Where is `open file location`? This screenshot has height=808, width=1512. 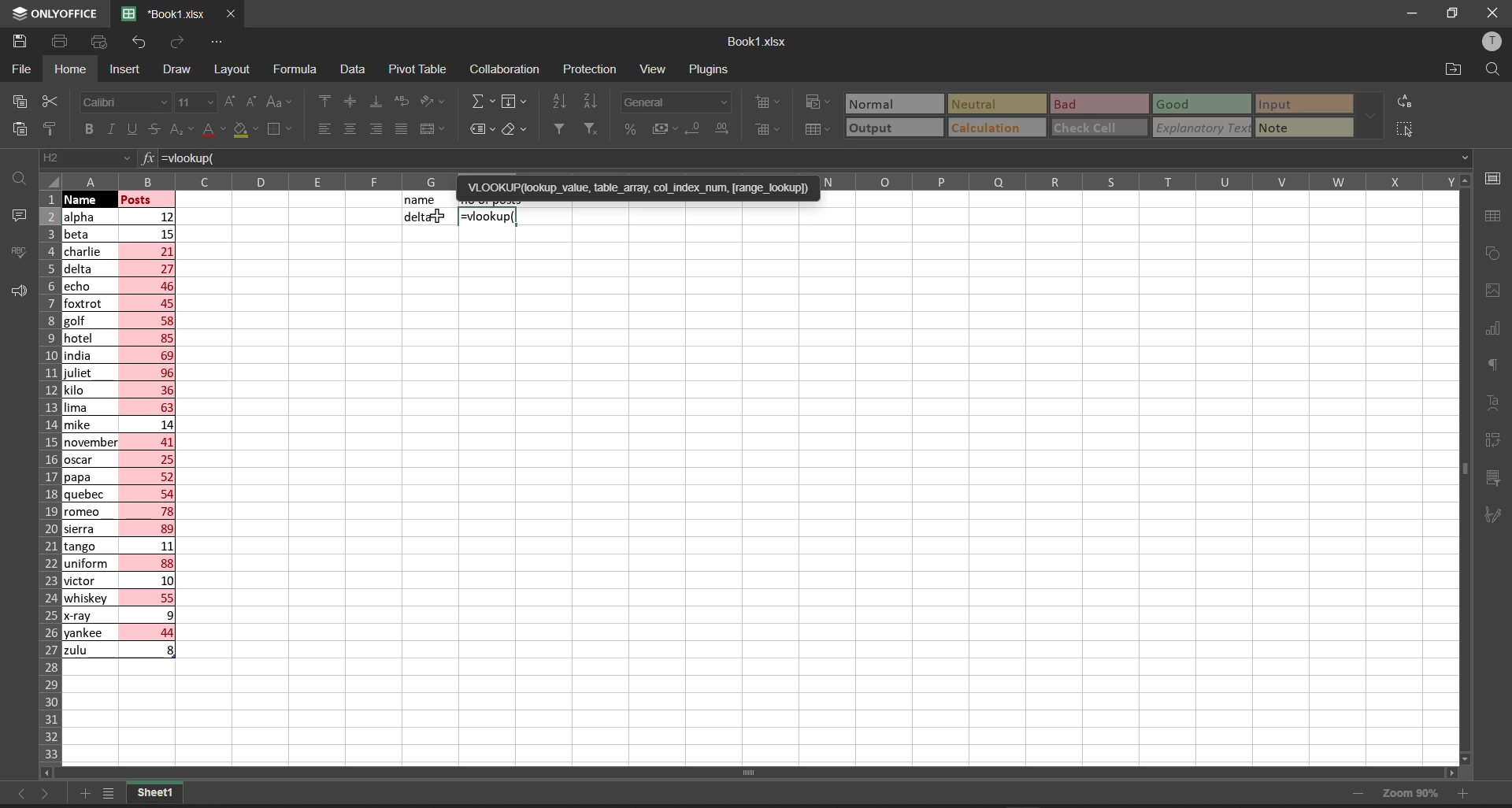
open file location is located at coordinates (1455, 68).